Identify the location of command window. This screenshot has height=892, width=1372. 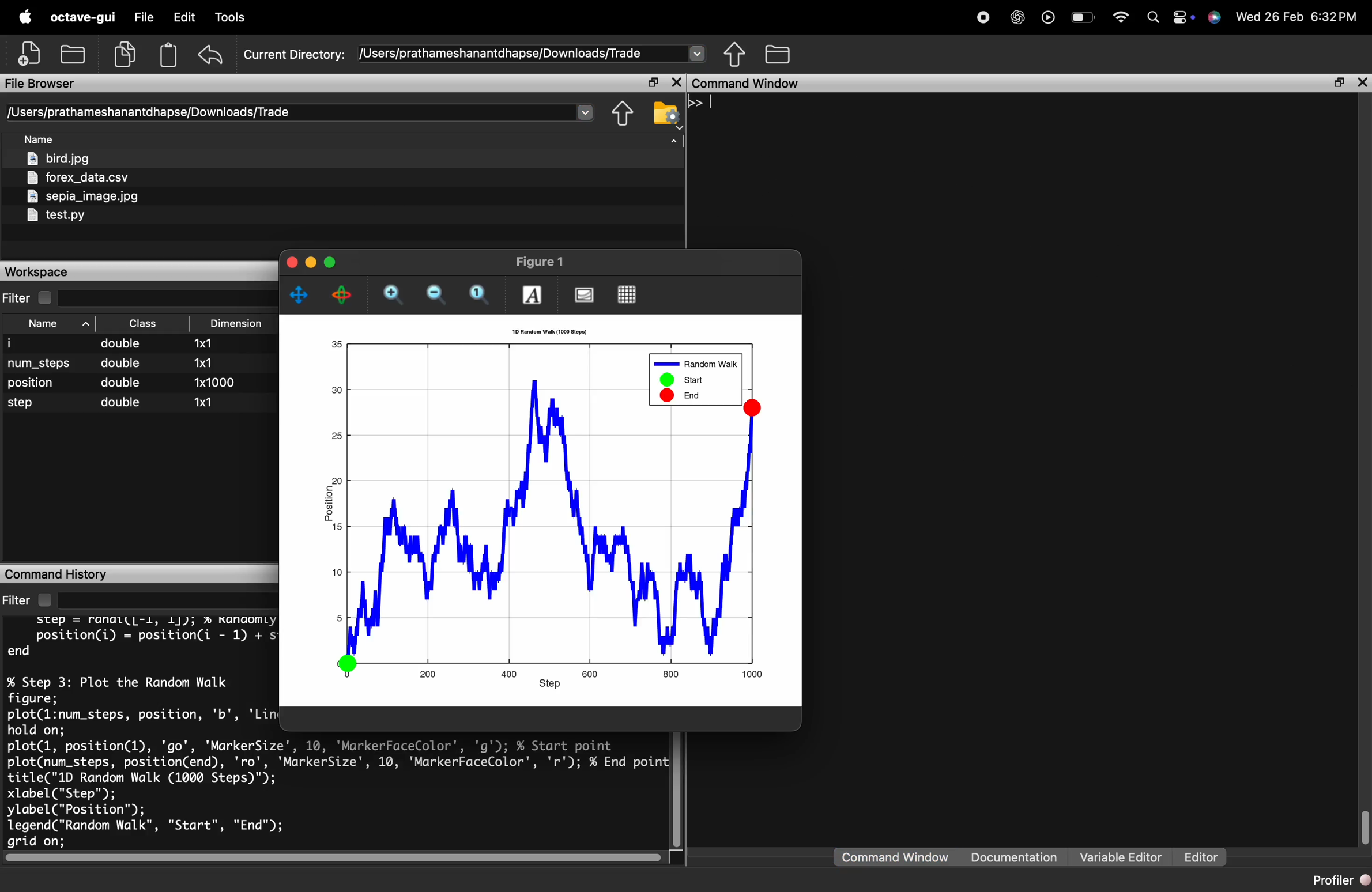
(753, 84).